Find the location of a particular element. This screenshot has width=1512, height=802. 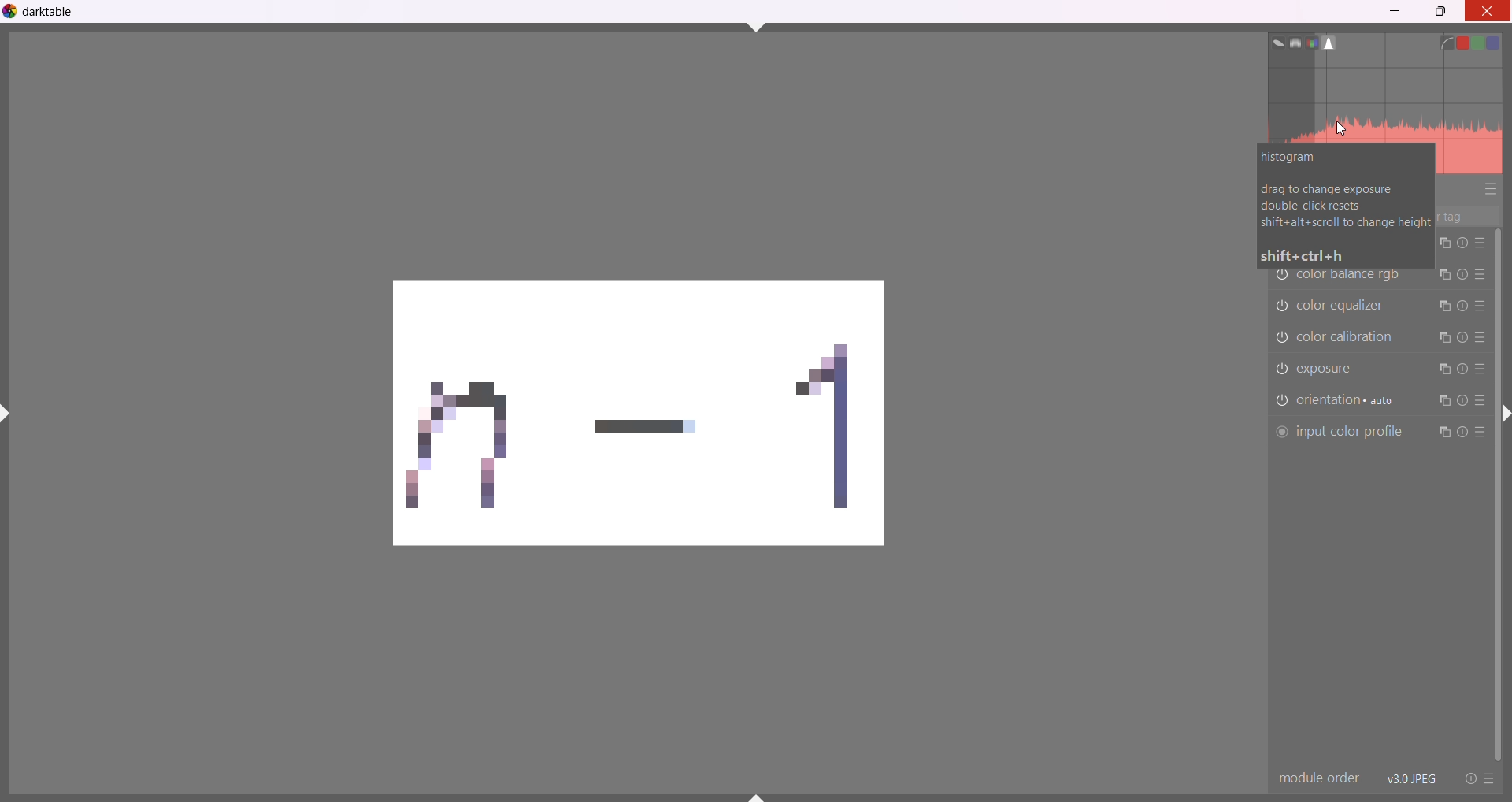

module order is located at coordinates (1317, 778).